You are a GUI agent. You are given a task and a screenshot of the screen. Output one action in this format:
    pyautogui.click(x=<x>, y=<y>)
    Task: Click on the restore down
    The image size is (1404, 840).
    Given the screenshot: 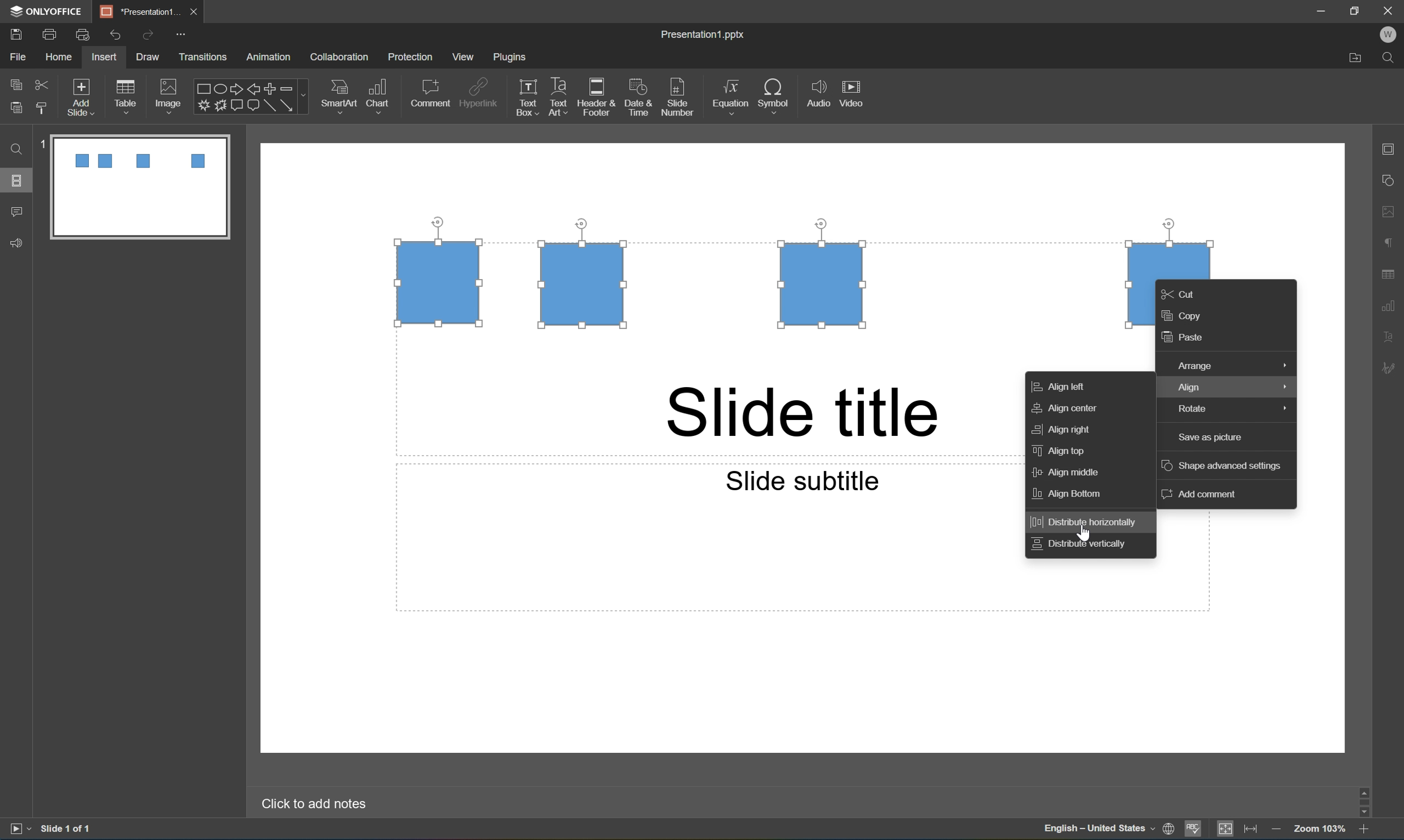 What is the action you would take?
    pyautogui.click(x=1356, y=8)
    